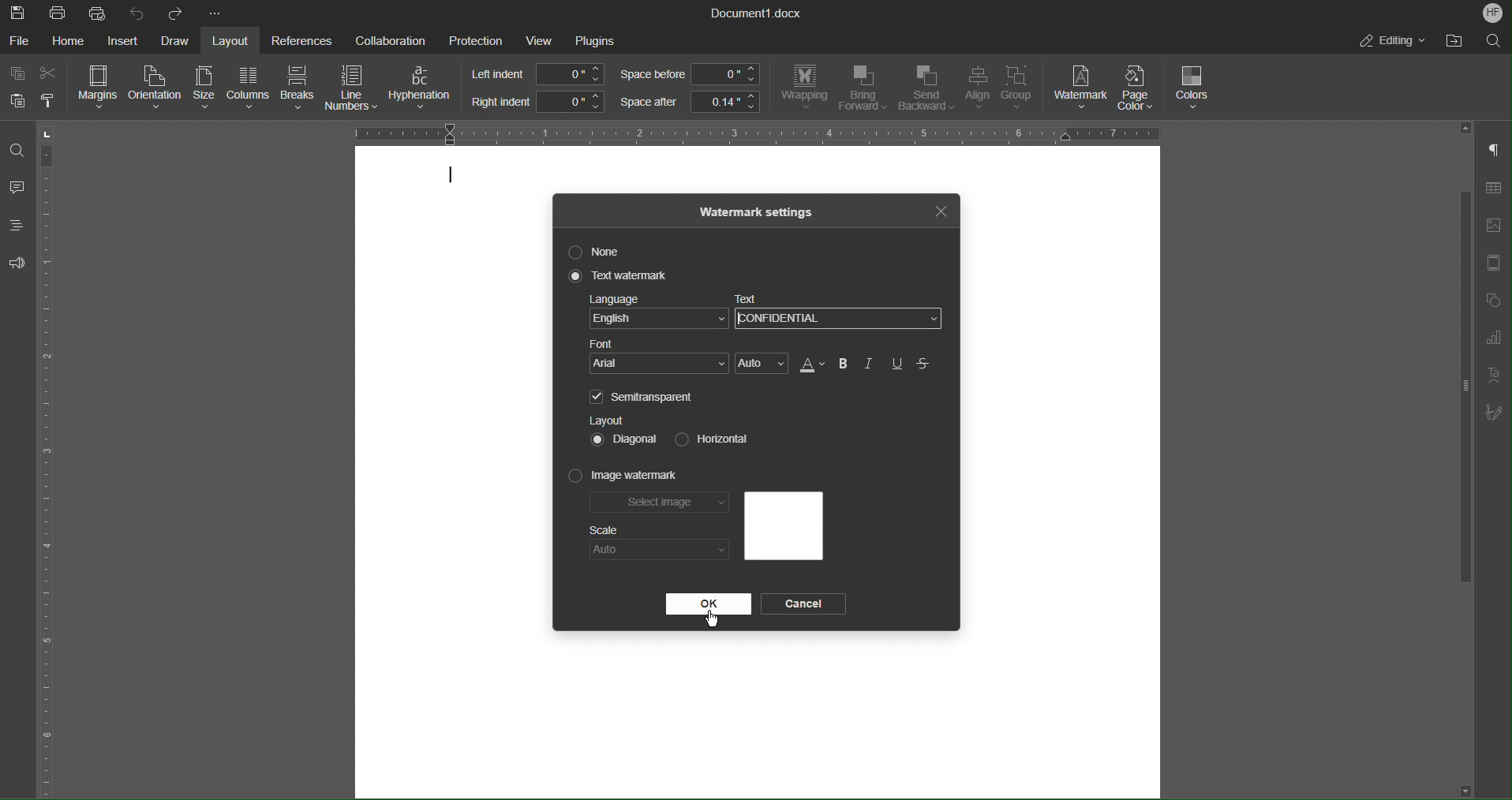 Image resolution: width=1512 pixels, height=800 pixels. I want to click on Find, so click(16, 150).